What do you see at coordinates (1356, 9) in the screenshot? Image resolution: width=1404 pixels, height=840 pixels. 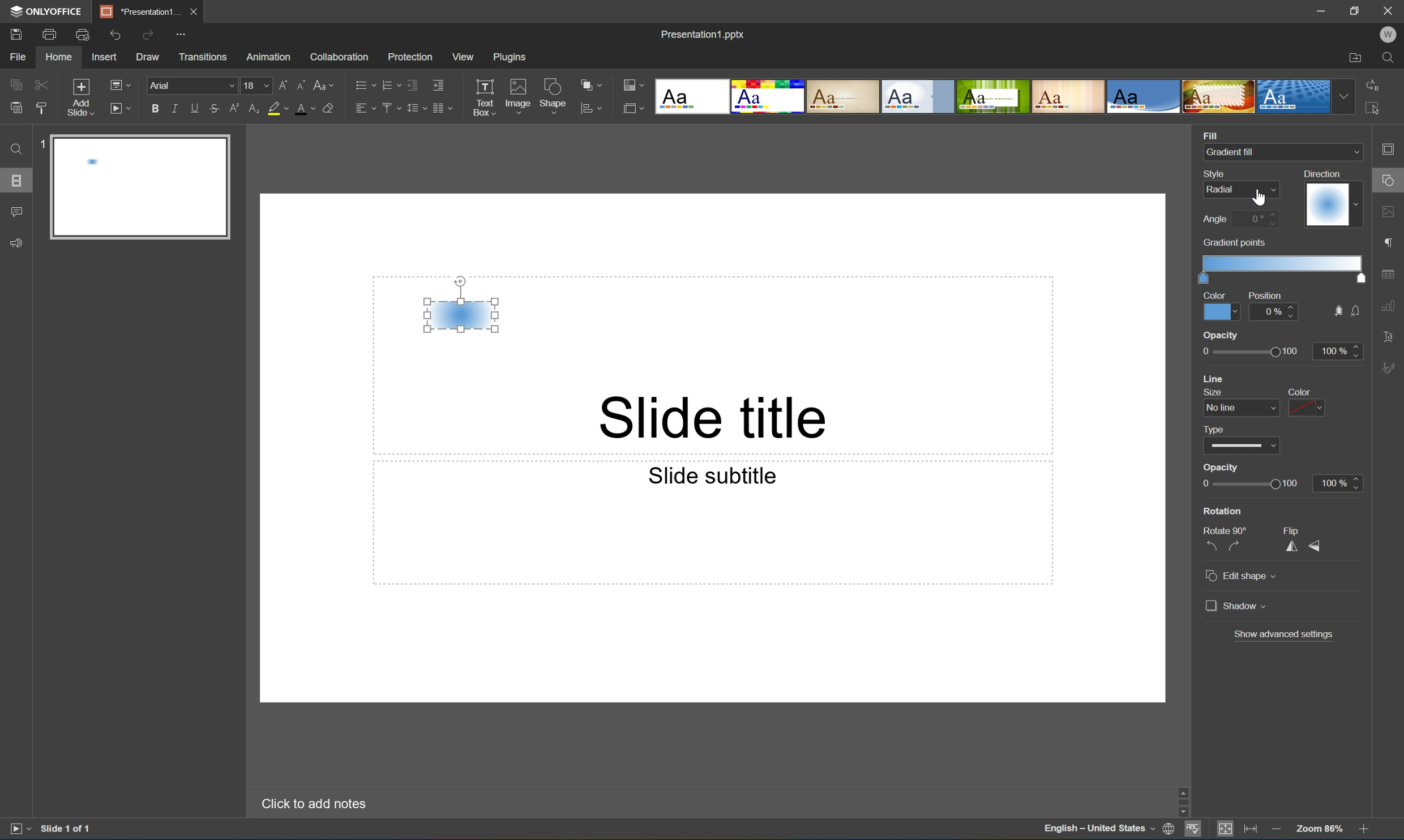 I see `Restore Down` at bounding box center [1356, 9].